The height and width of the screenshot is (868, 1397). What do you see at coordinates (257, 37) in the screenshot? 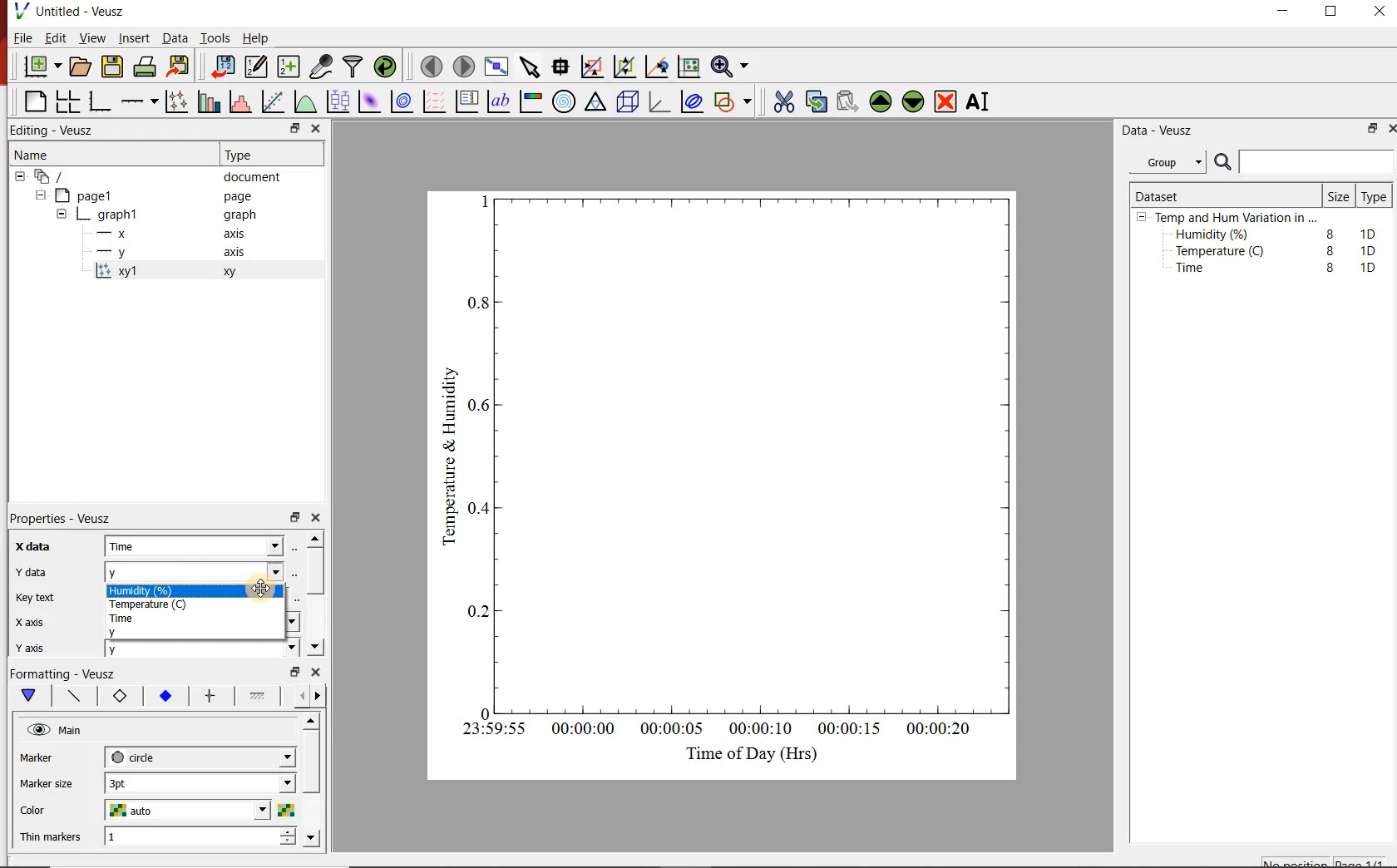
I see `Help` at bounding box center [257, 37].